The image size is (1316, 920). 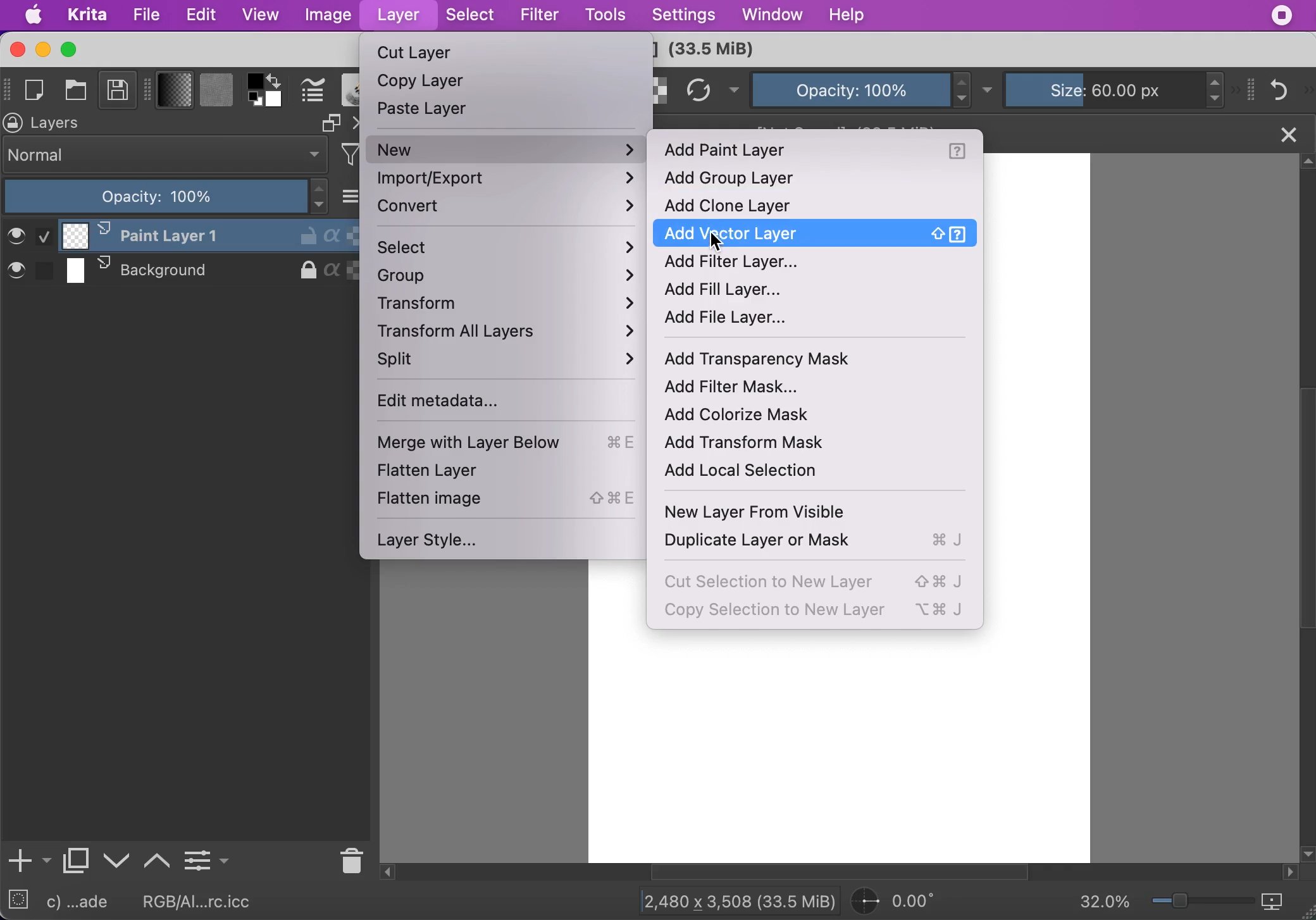 What do you see at coordinates (507, 249) in the screenshot?
I see `select` at bounding box center [507, 249].